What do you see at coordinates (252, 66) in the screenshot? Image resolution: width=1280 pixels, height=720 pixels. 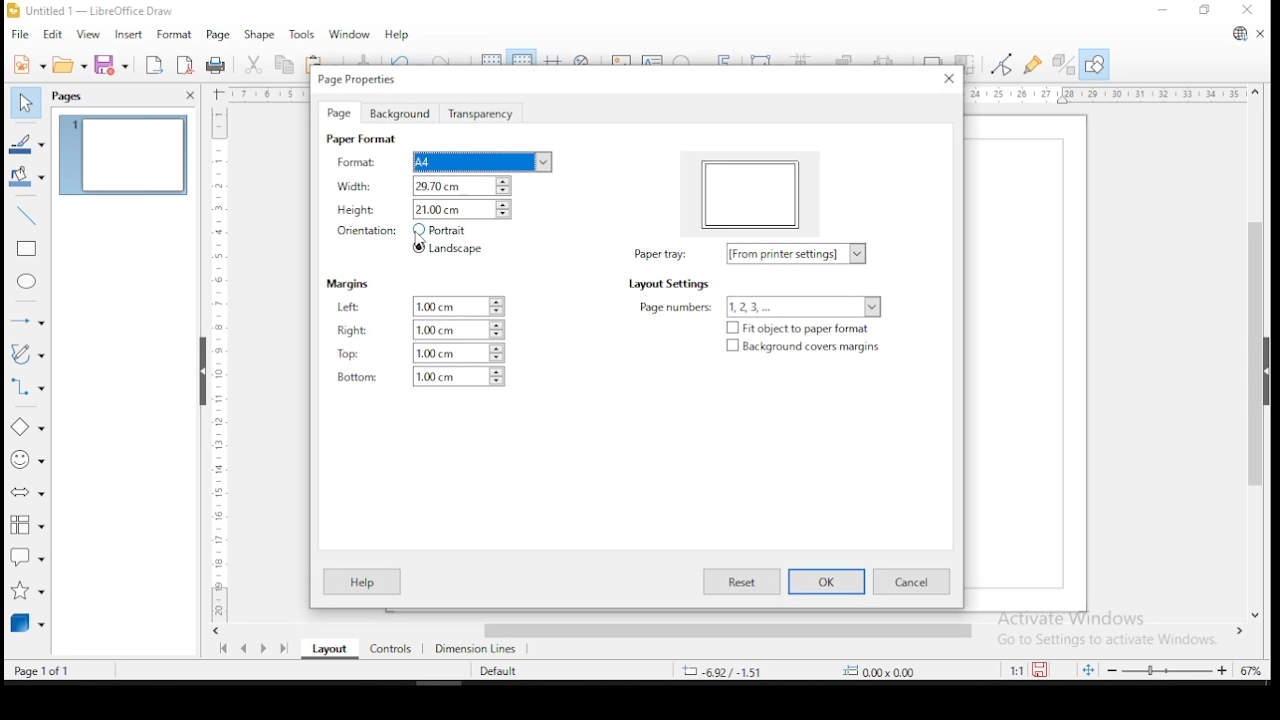 I see `cut` at bounding box center [252, 66].